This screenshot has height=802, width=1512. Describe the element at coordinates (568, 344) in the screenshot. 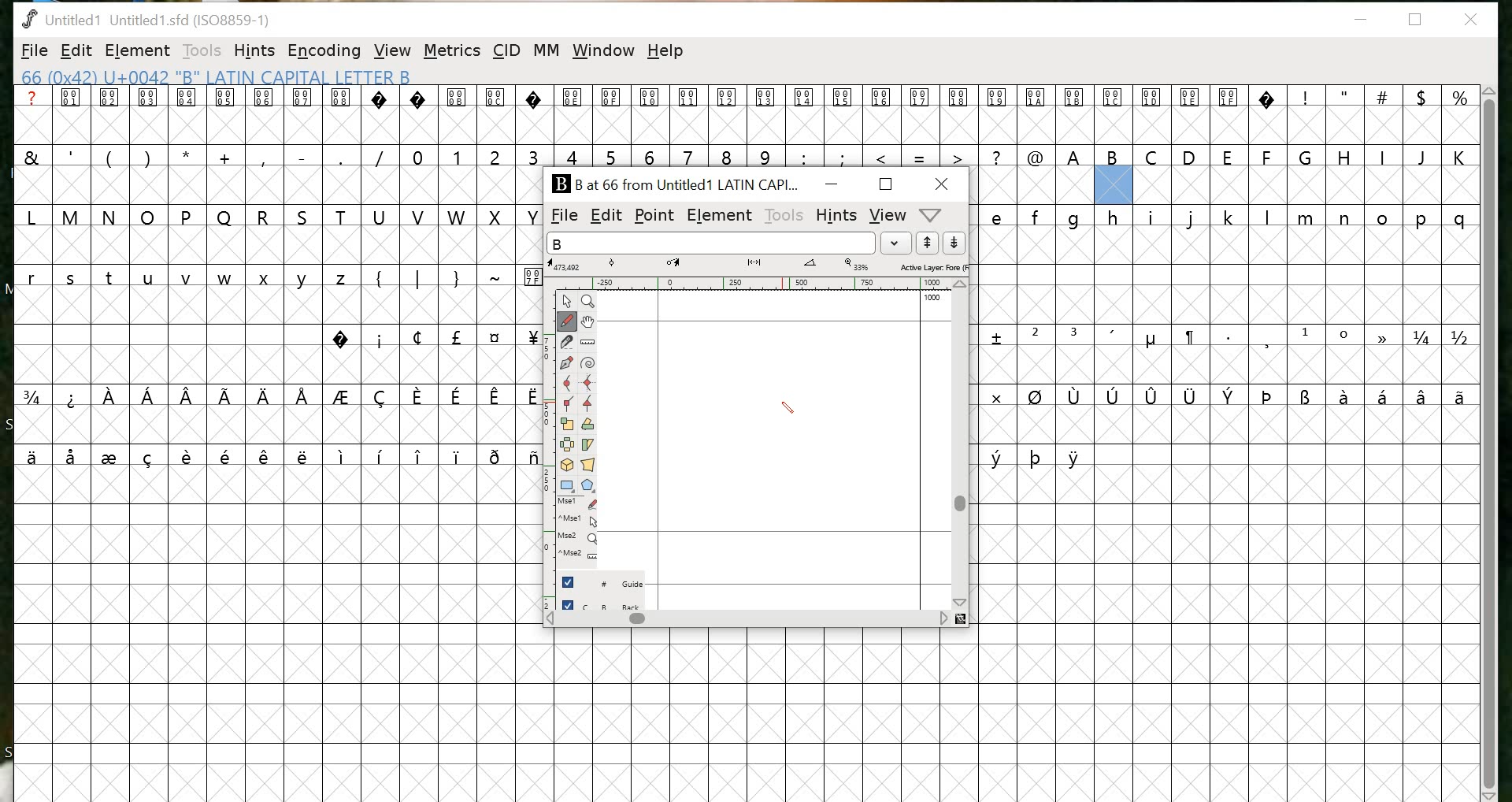

I see `Knife` at that location.